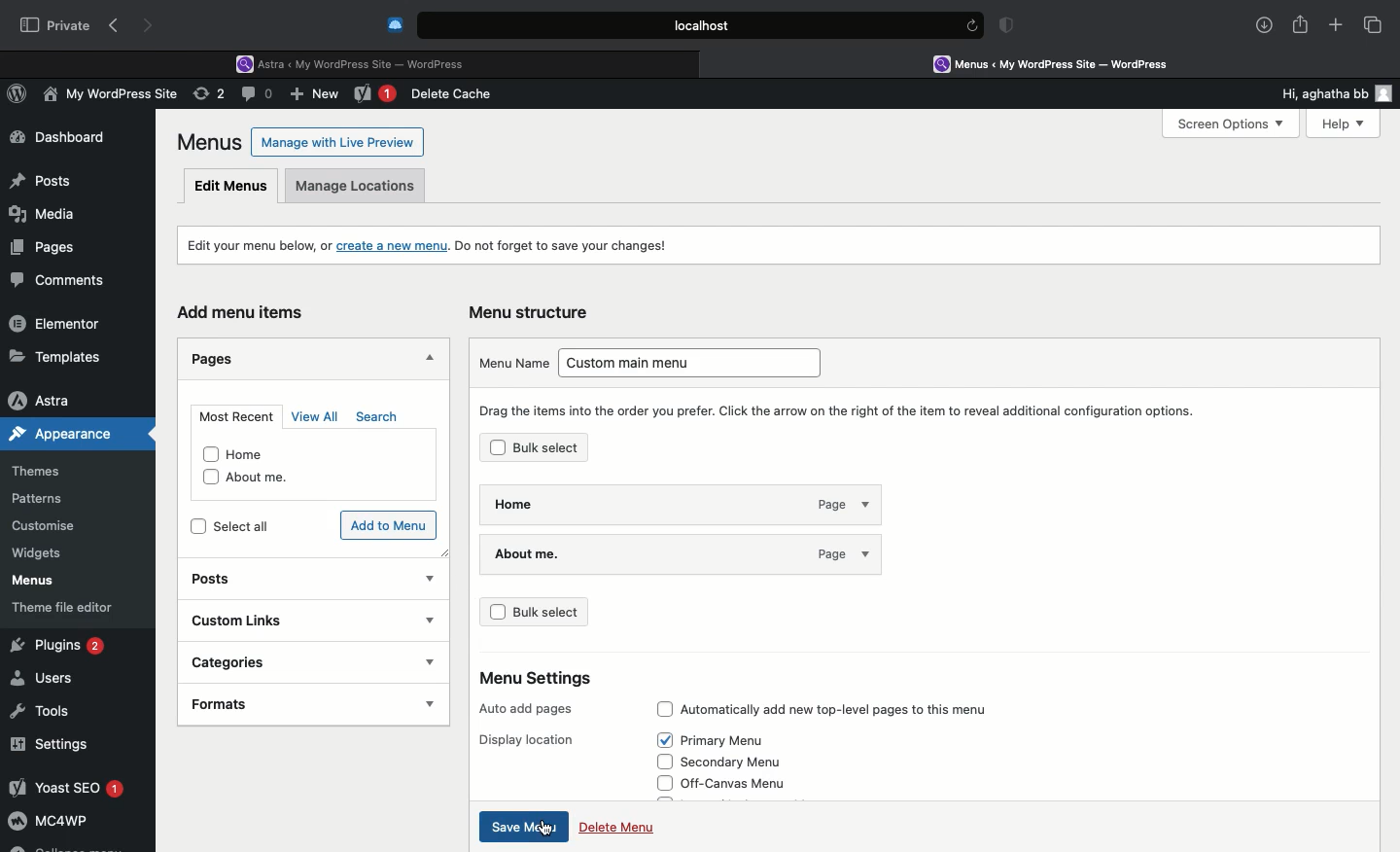 This screenshot has height=852, width=1400. Describe the element at coordinates (1314, 90) in the screenshot. I see `Hi, aghatha bb` at that location.